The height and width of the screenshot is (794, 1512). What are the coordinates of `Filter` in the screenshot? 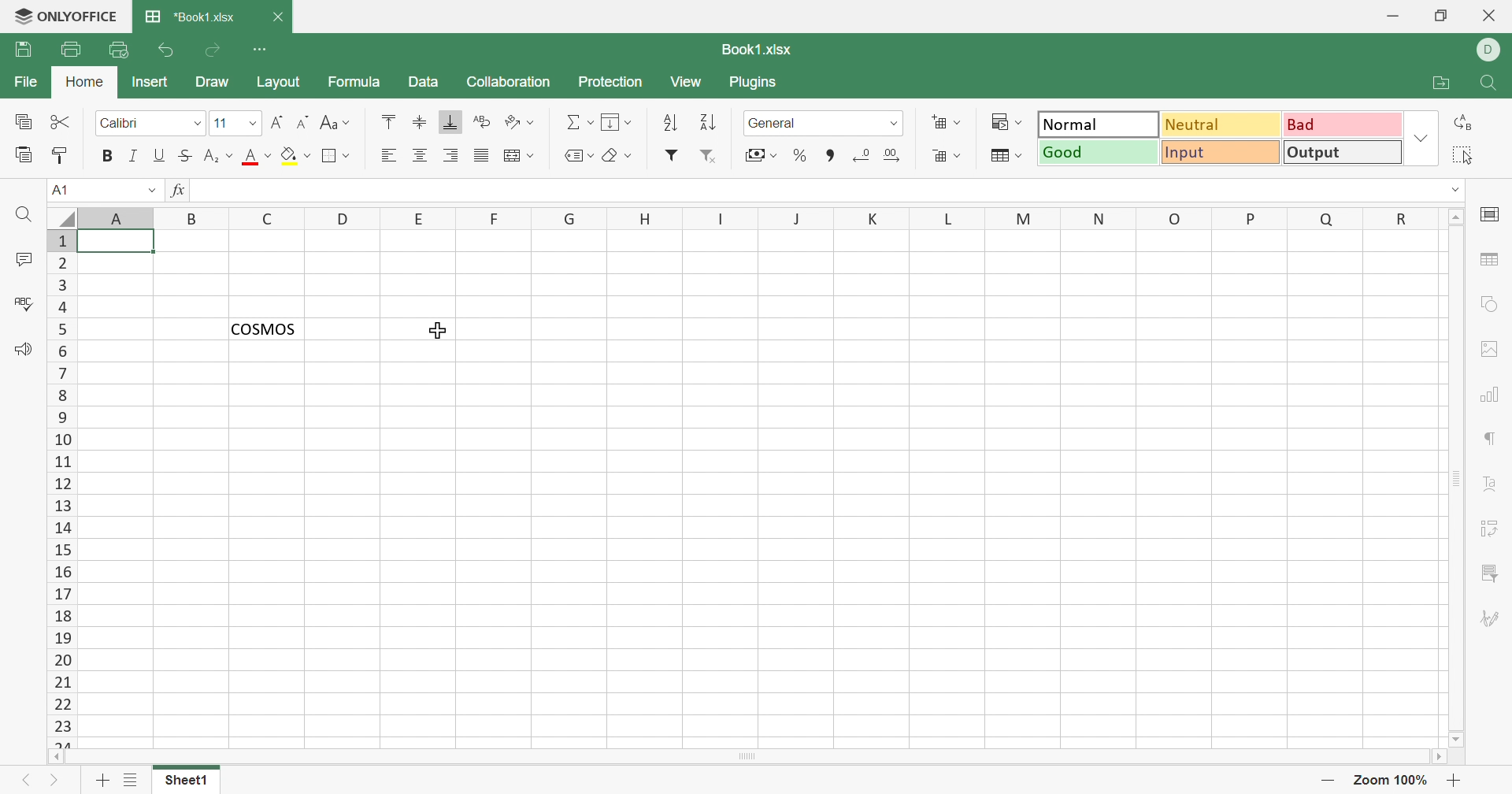 It's located at (671, 155).